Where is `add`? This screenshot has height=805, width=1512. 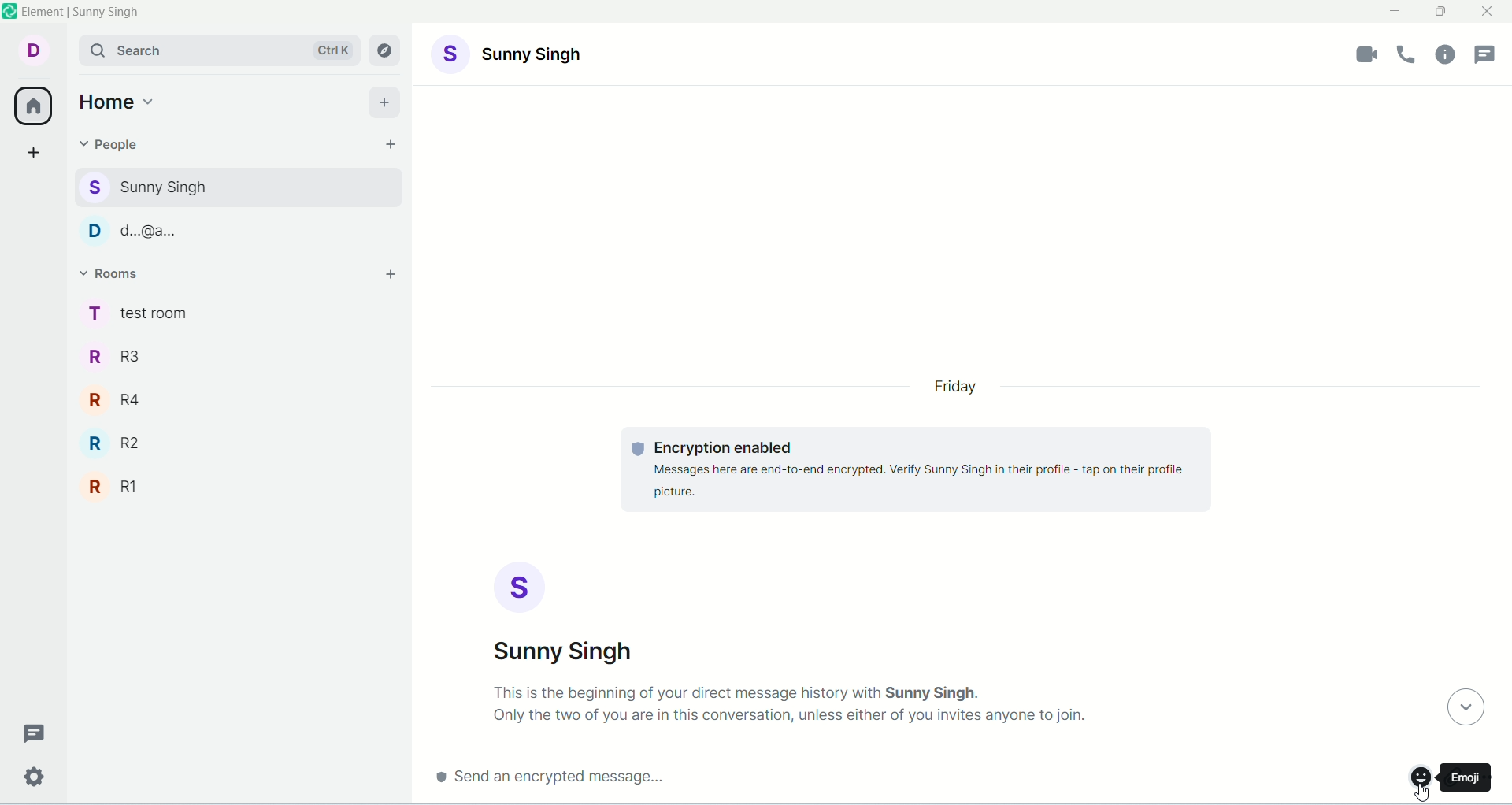
add is located at coordinates (393, 276).